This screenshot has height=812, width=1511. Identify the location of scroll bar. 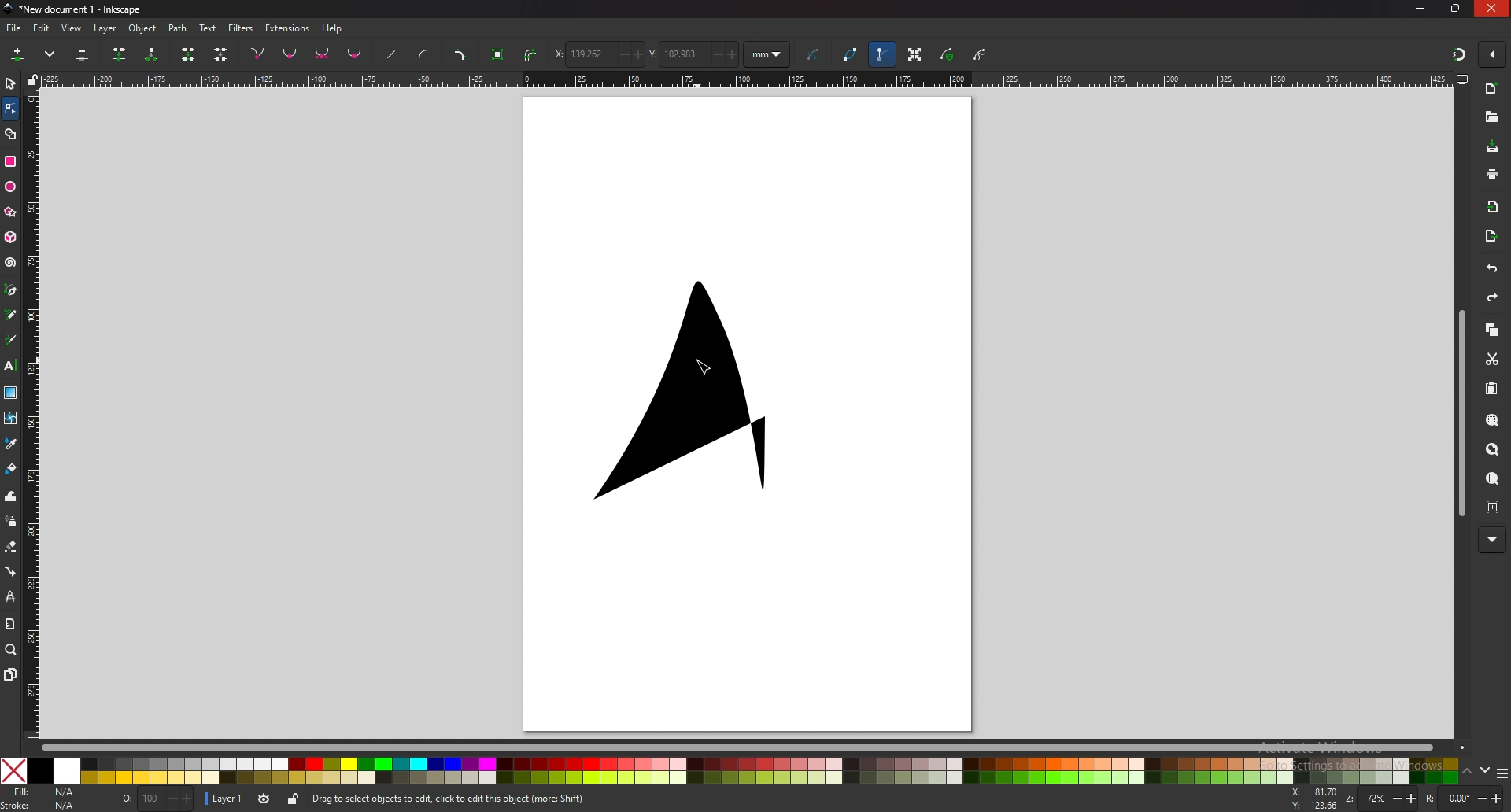
(1461, 414).